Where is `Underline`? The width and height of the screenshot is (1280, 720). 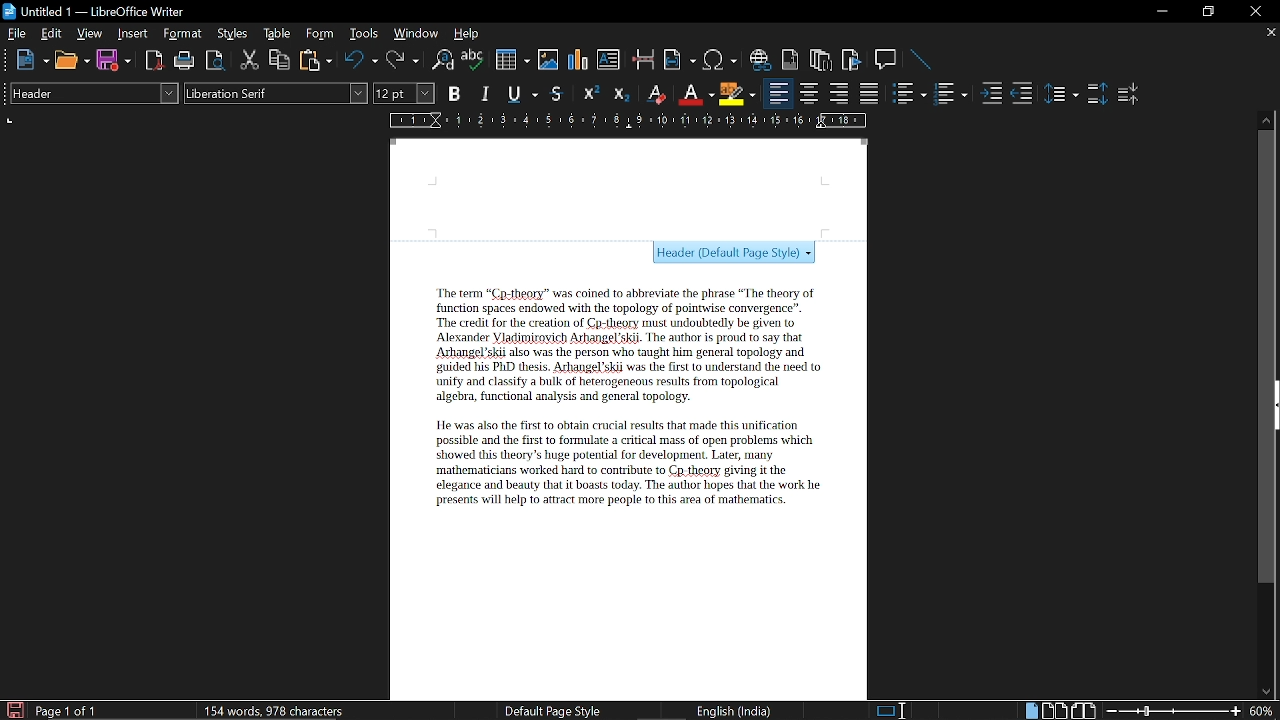 Underline is located at coordinates (524, 95).